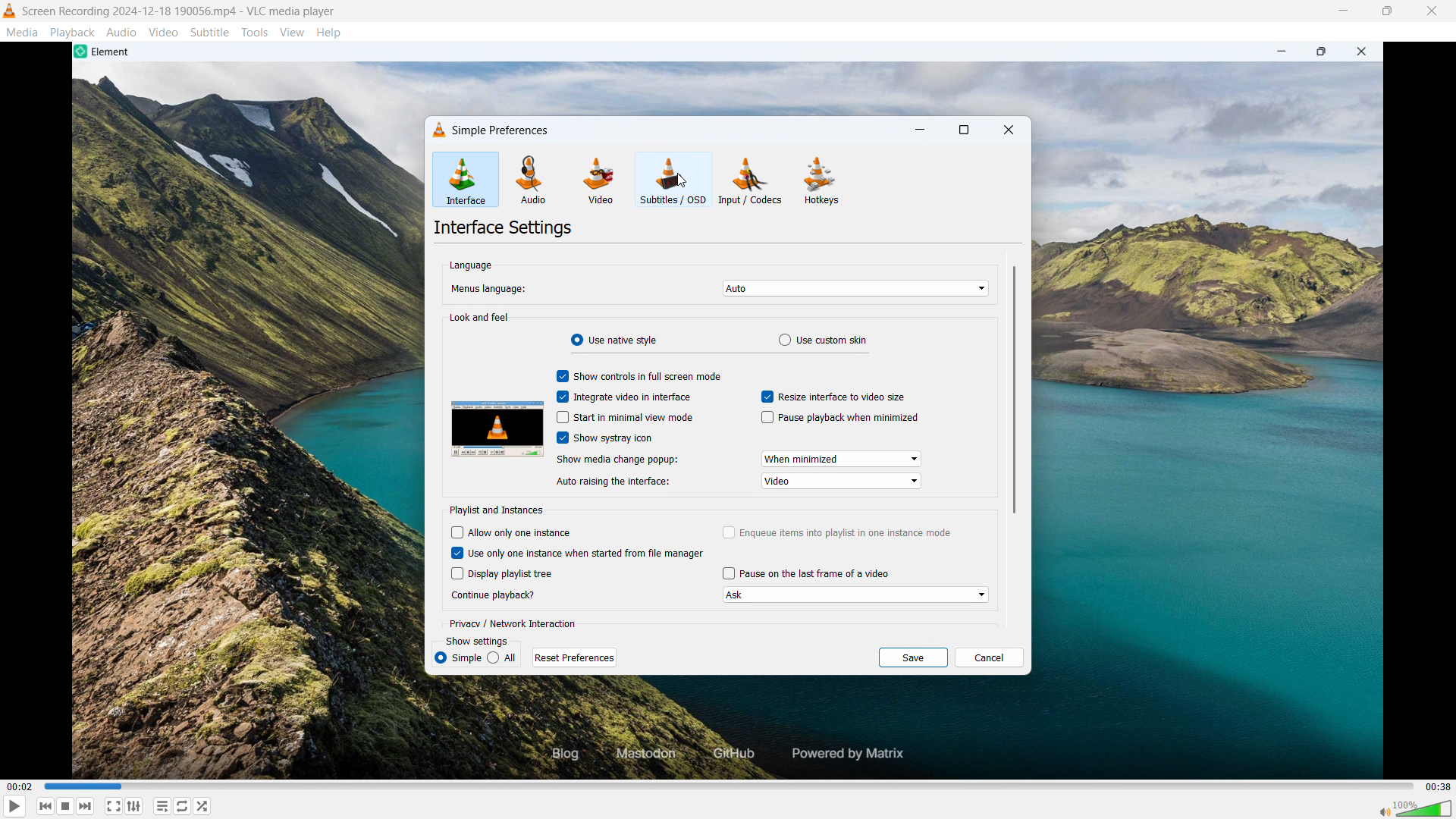 The height and width of the screenshot is (819, 1456). Describe the element at coordinates (1439, 787) in the screenshot. I see `video duration` at that location.